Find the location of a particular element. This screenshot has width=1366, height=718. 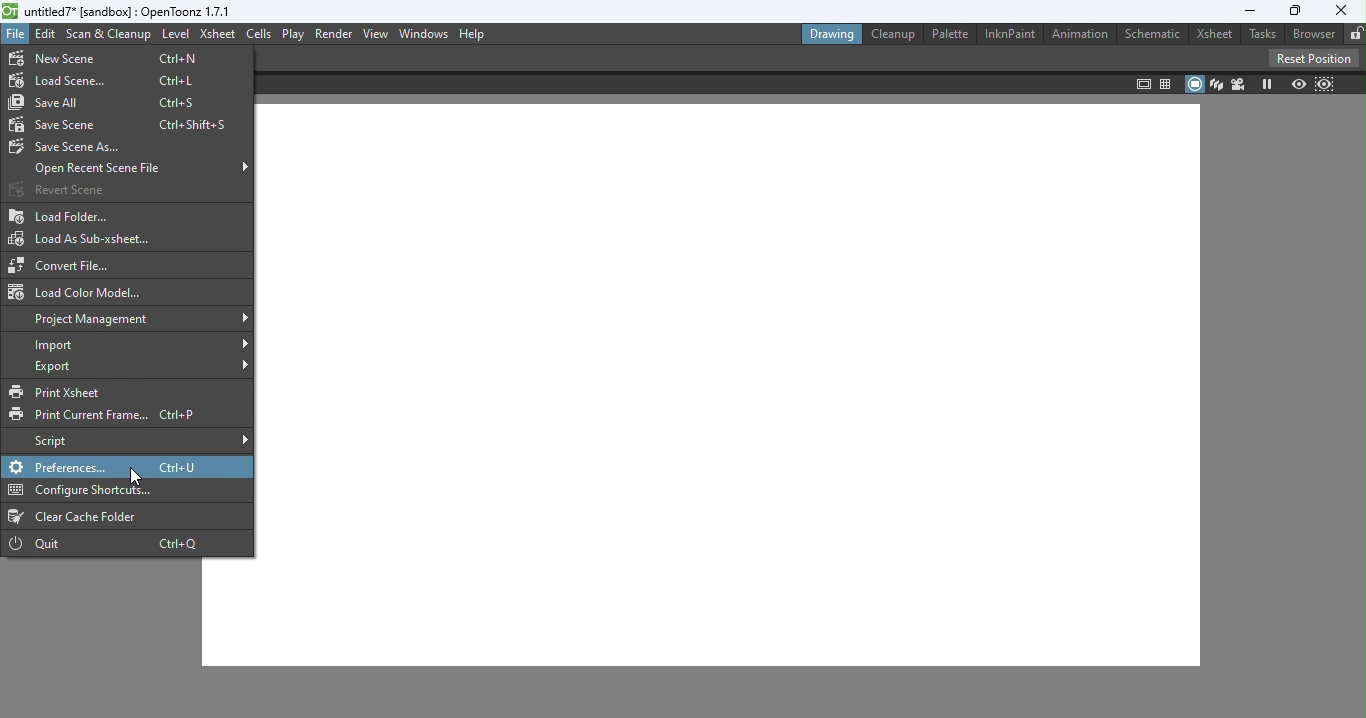

Lock rooms tab is located at coordinates (1355, 34).